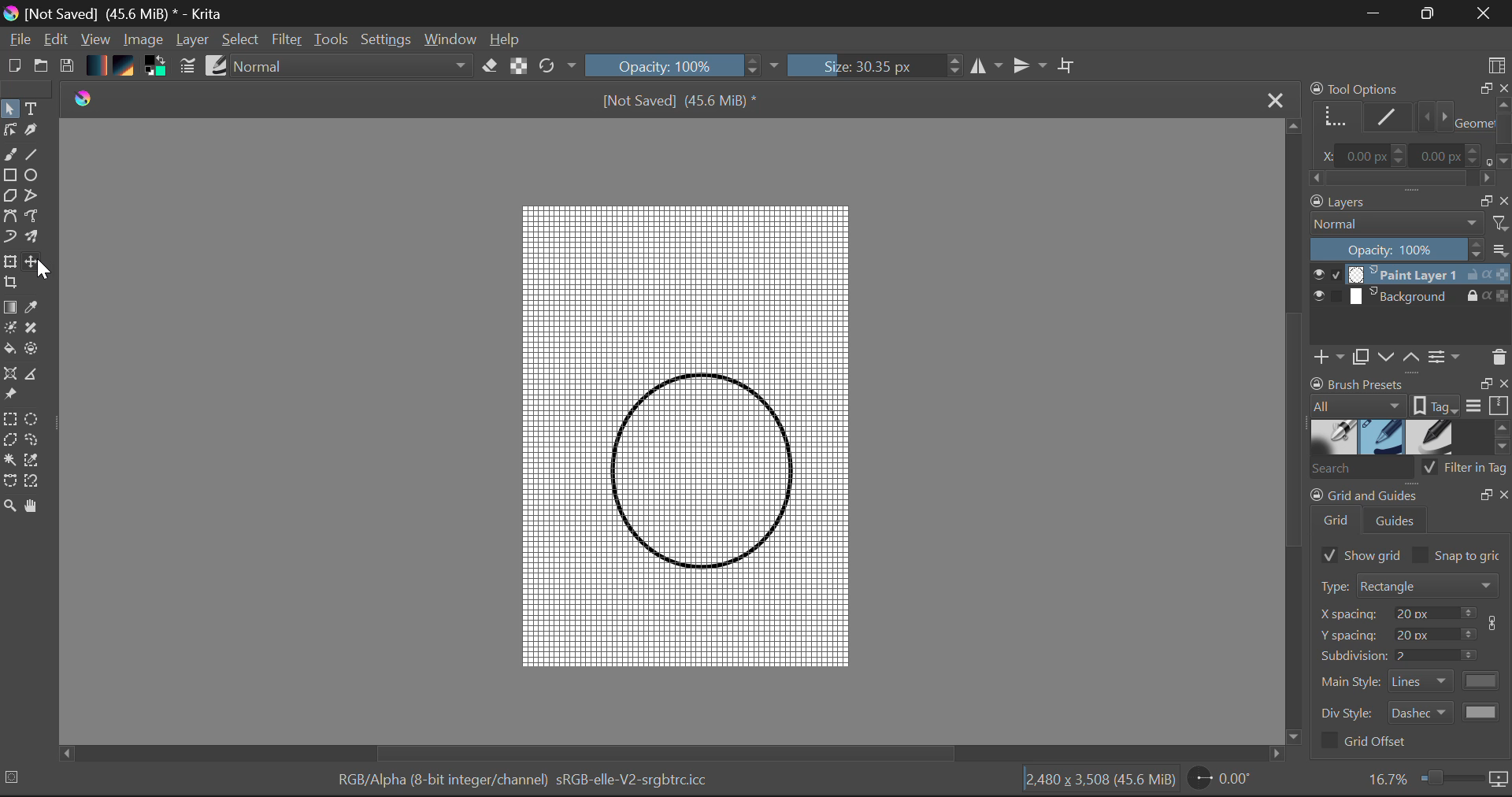  What do you see at coordinates (9, 505) in the screenshot?
I see `Zoom` at bounding box center [9, 505].